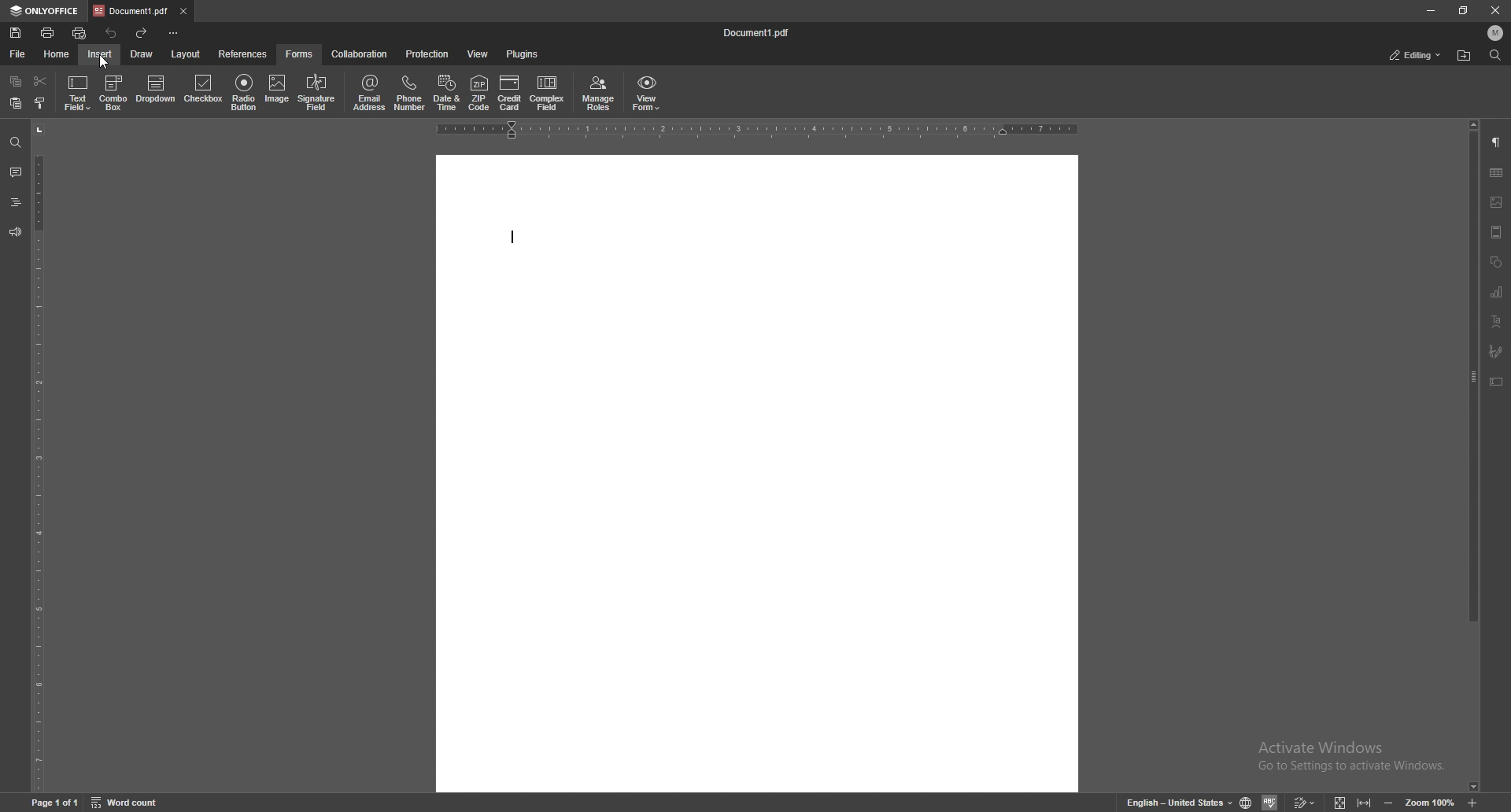 The height and width of the screenshot is (812, 1511). I want to click on minimize, so click(1428, 9).